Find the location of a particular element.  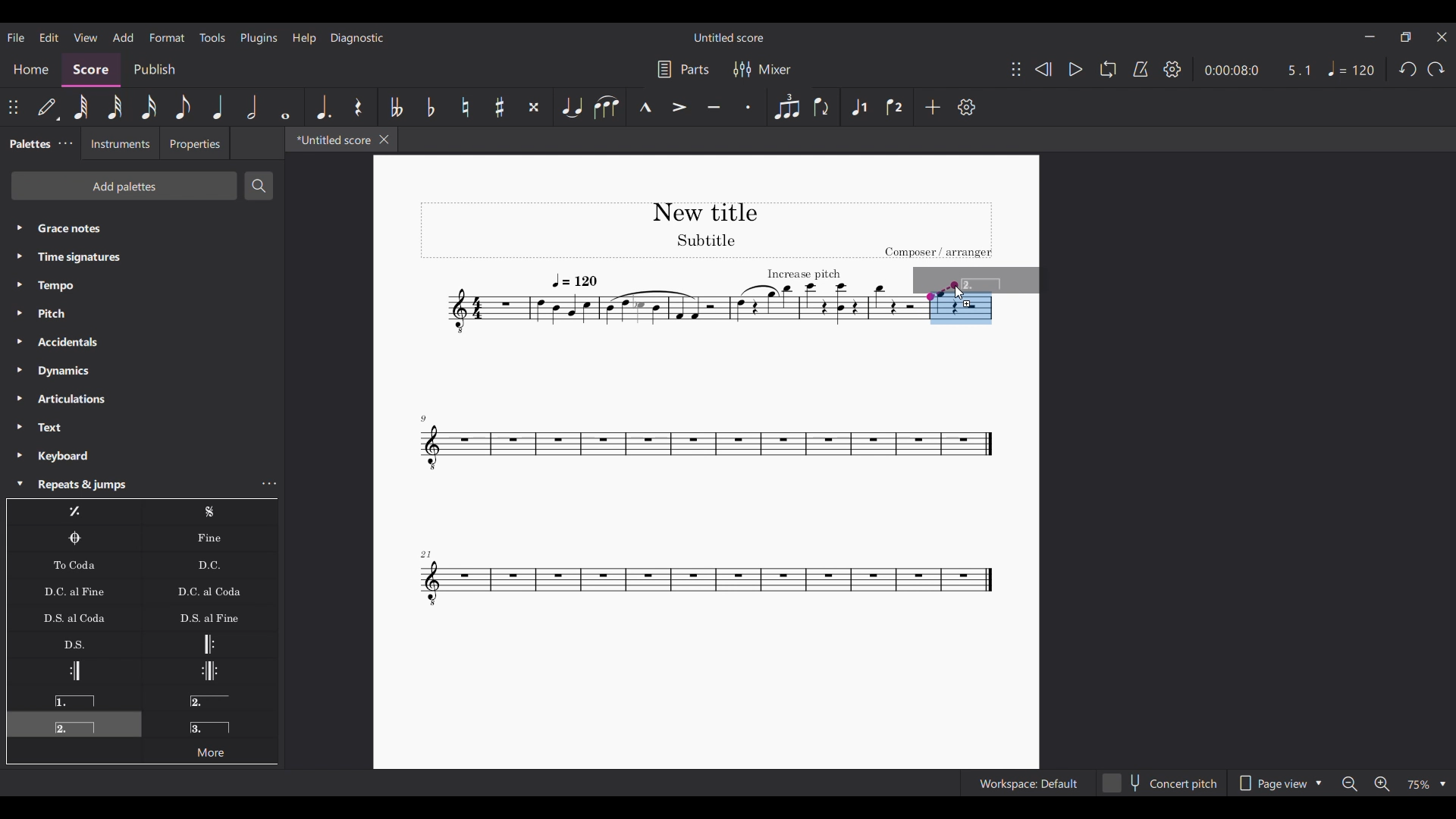

32nd note is located at coordinates (115, 107).